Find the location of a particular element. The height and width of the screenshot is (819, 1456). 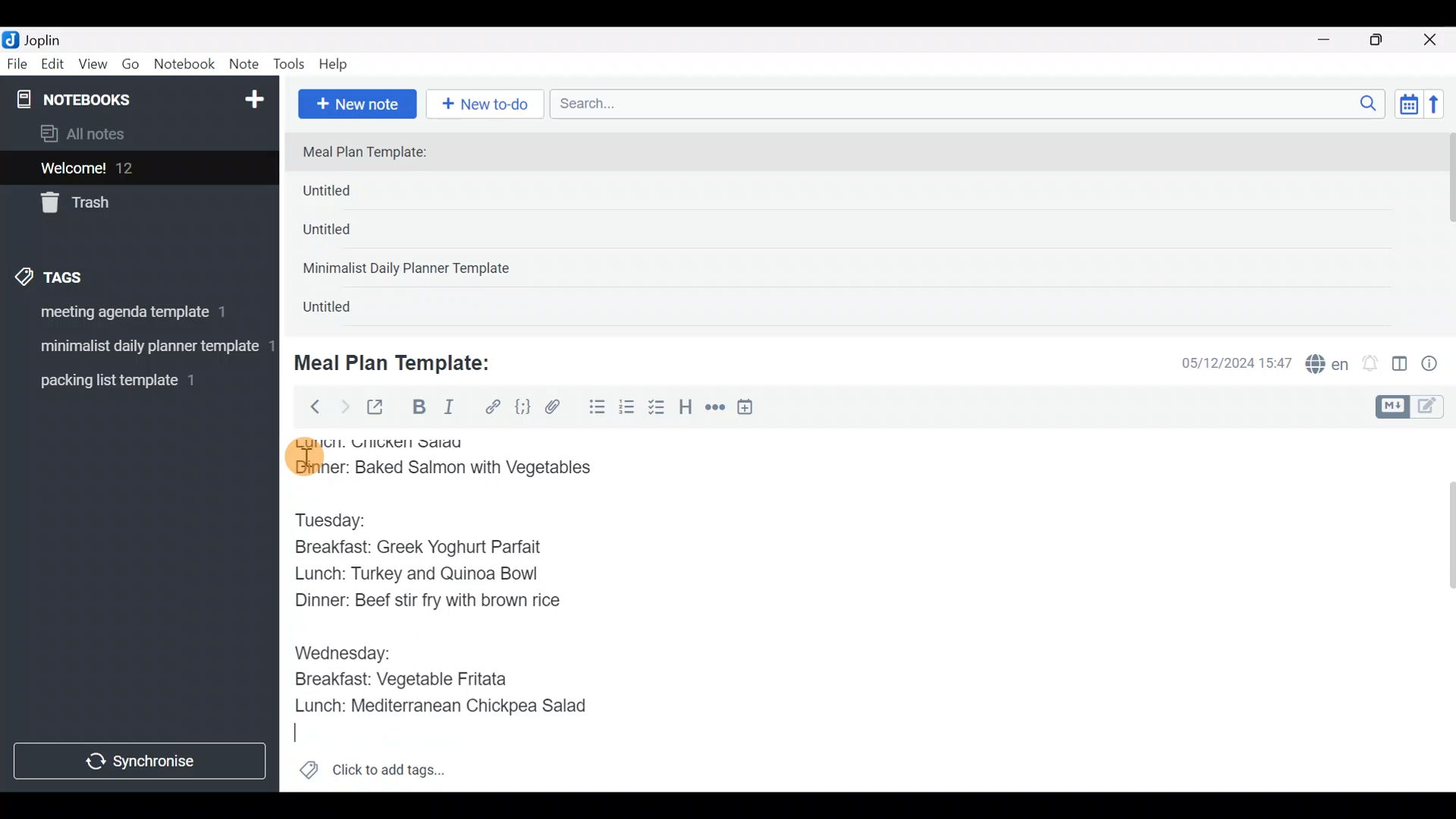

Back is located at coordinates (309, 406).